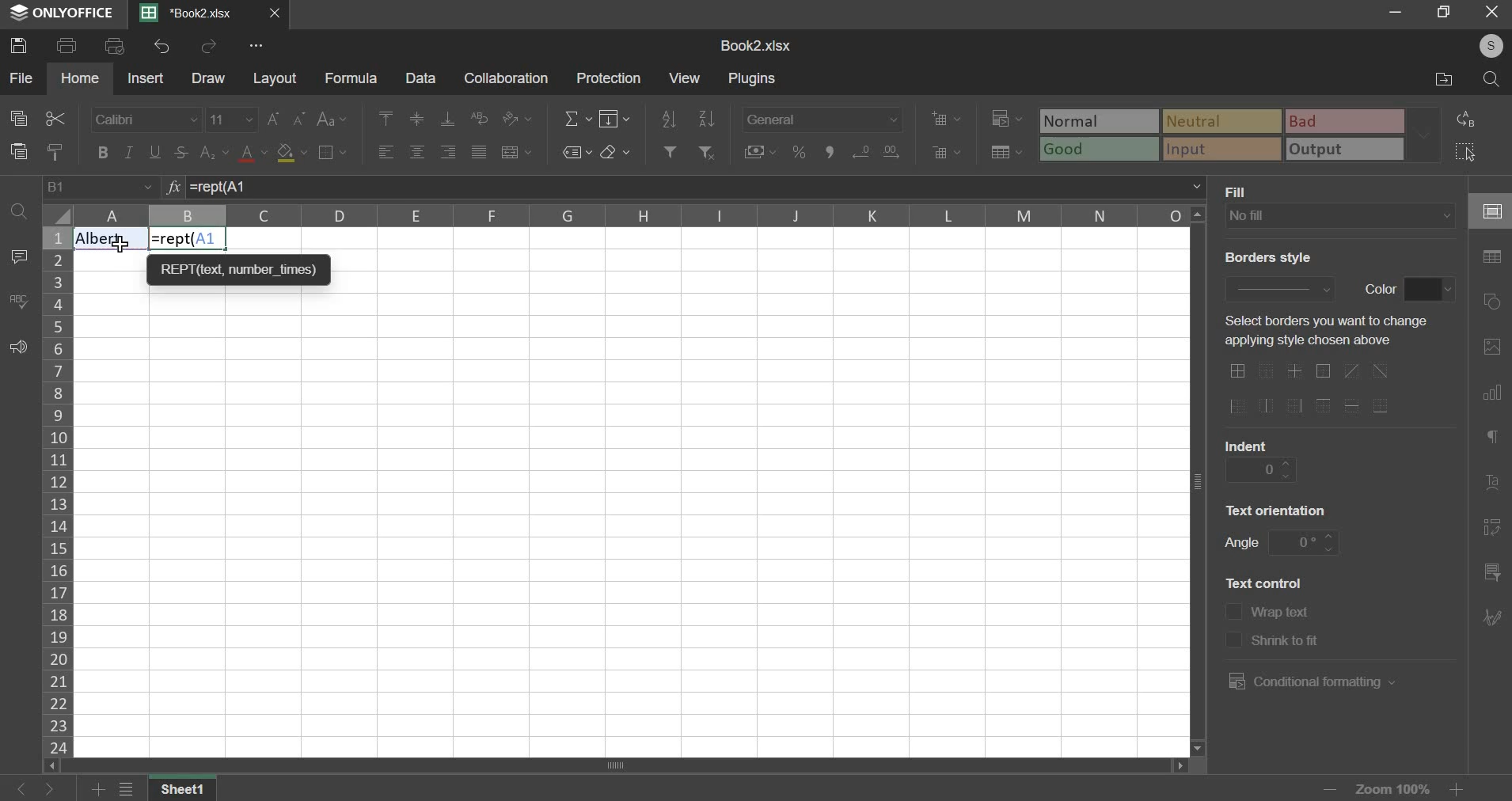  What do you see at coordinates (18, 212) in the screenshot?
I see `find` at bounding box center [18, 212].